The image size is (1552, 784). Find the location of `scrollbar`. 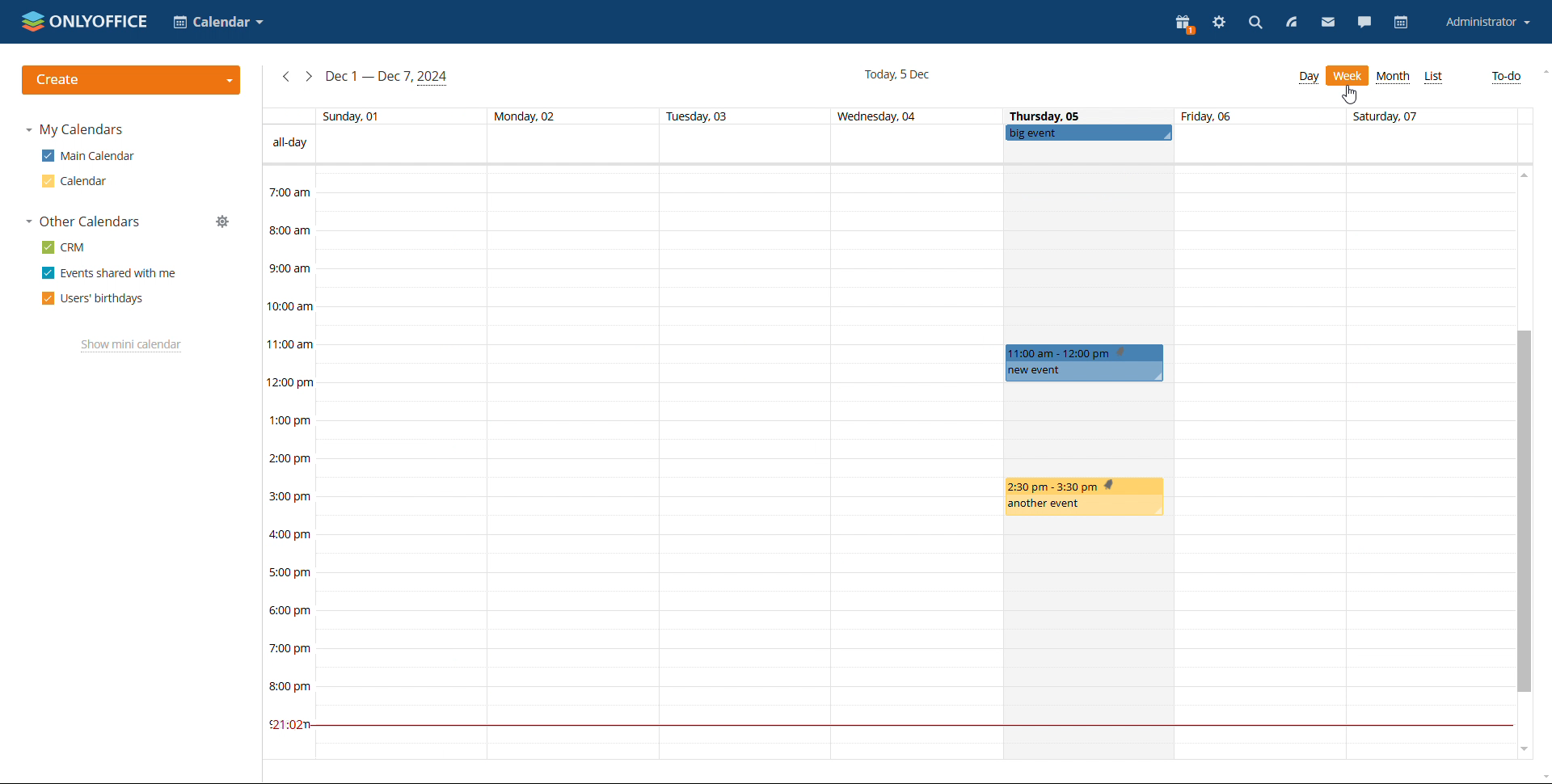

scrollbar is located at coordinates (1523, 512).